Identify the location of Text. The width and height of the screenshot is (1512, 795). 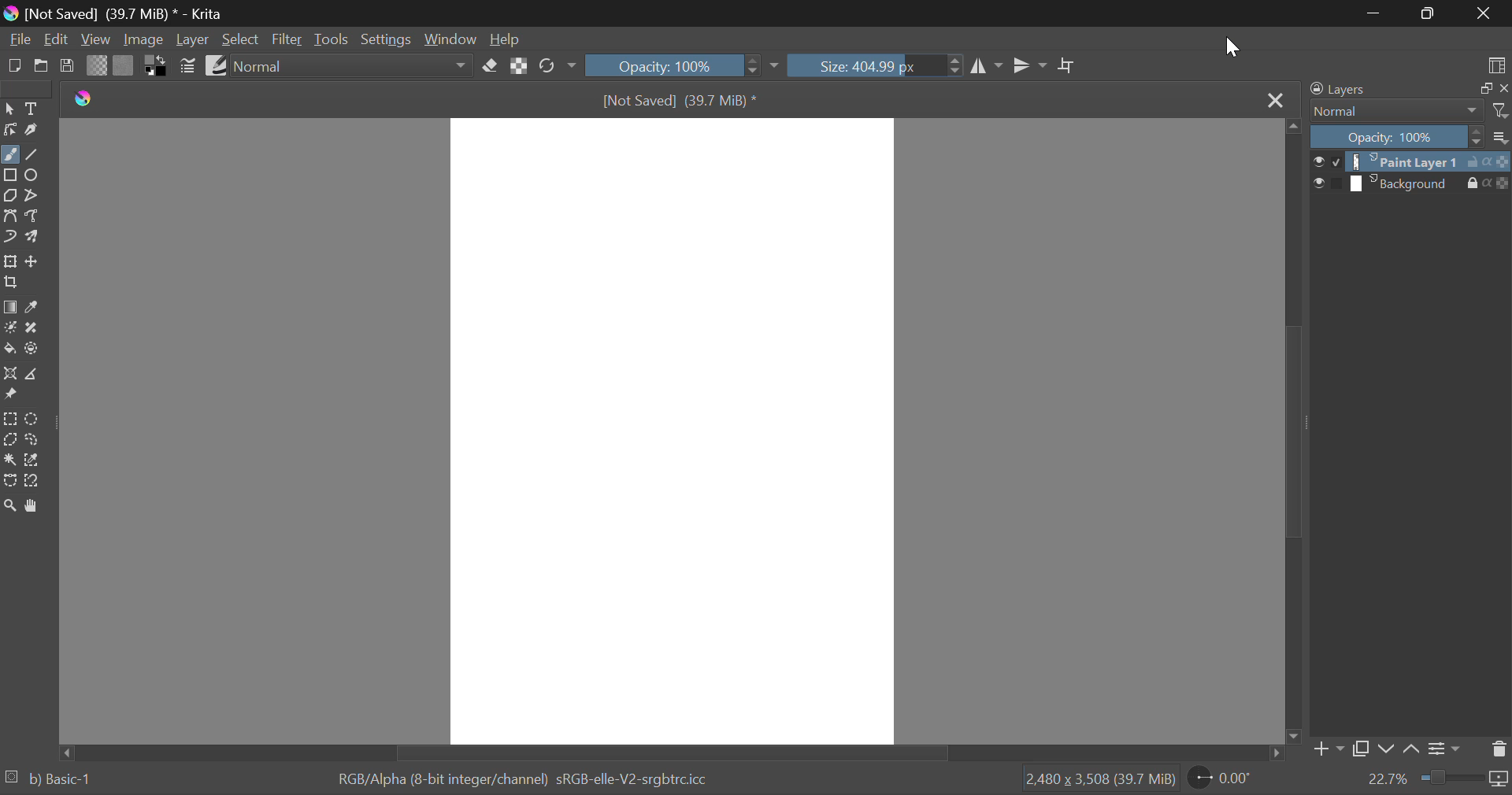
(31, 109).